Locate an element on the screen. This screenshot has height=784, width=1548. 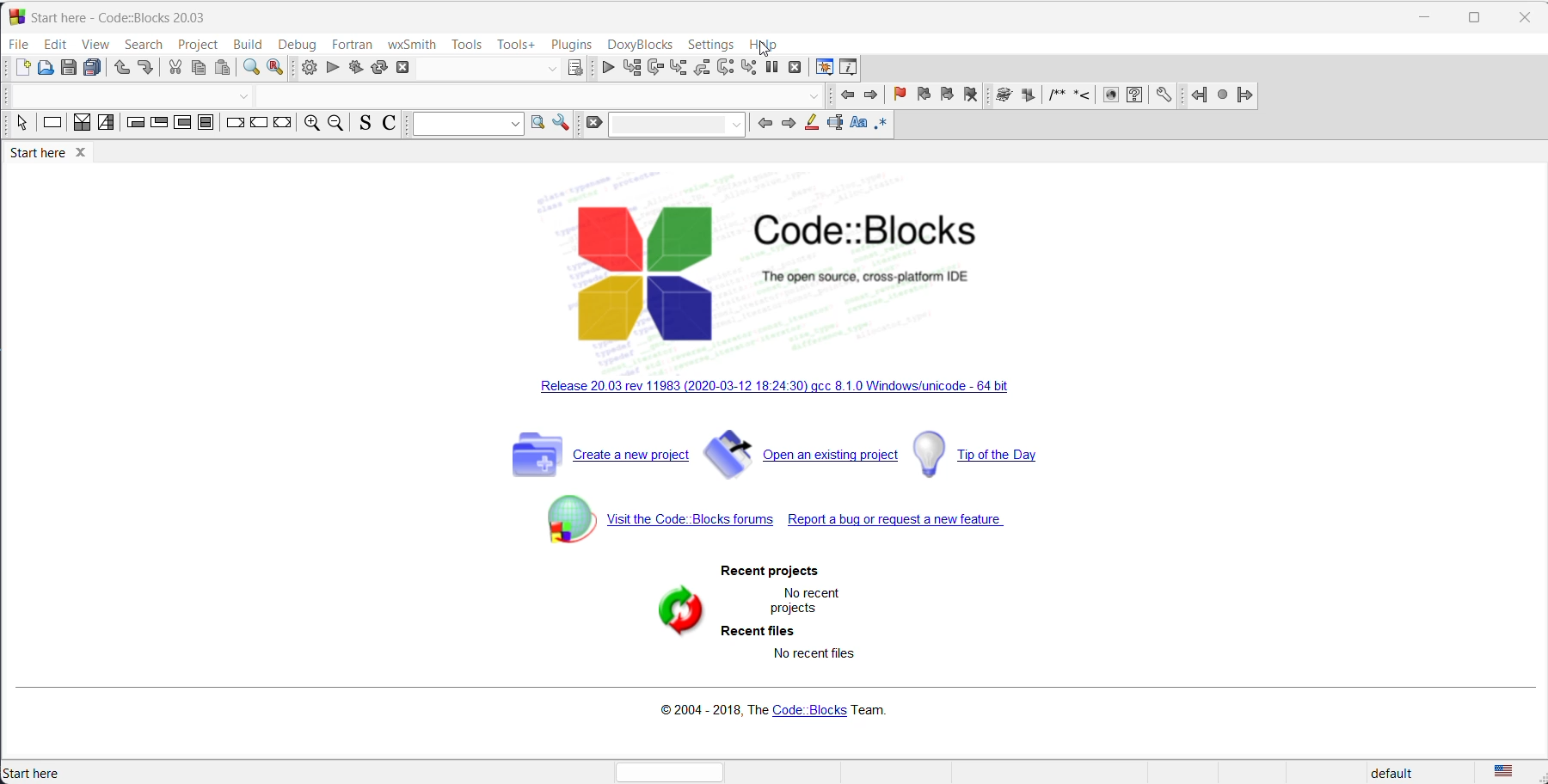
cut is located at coordinates (175, 68).